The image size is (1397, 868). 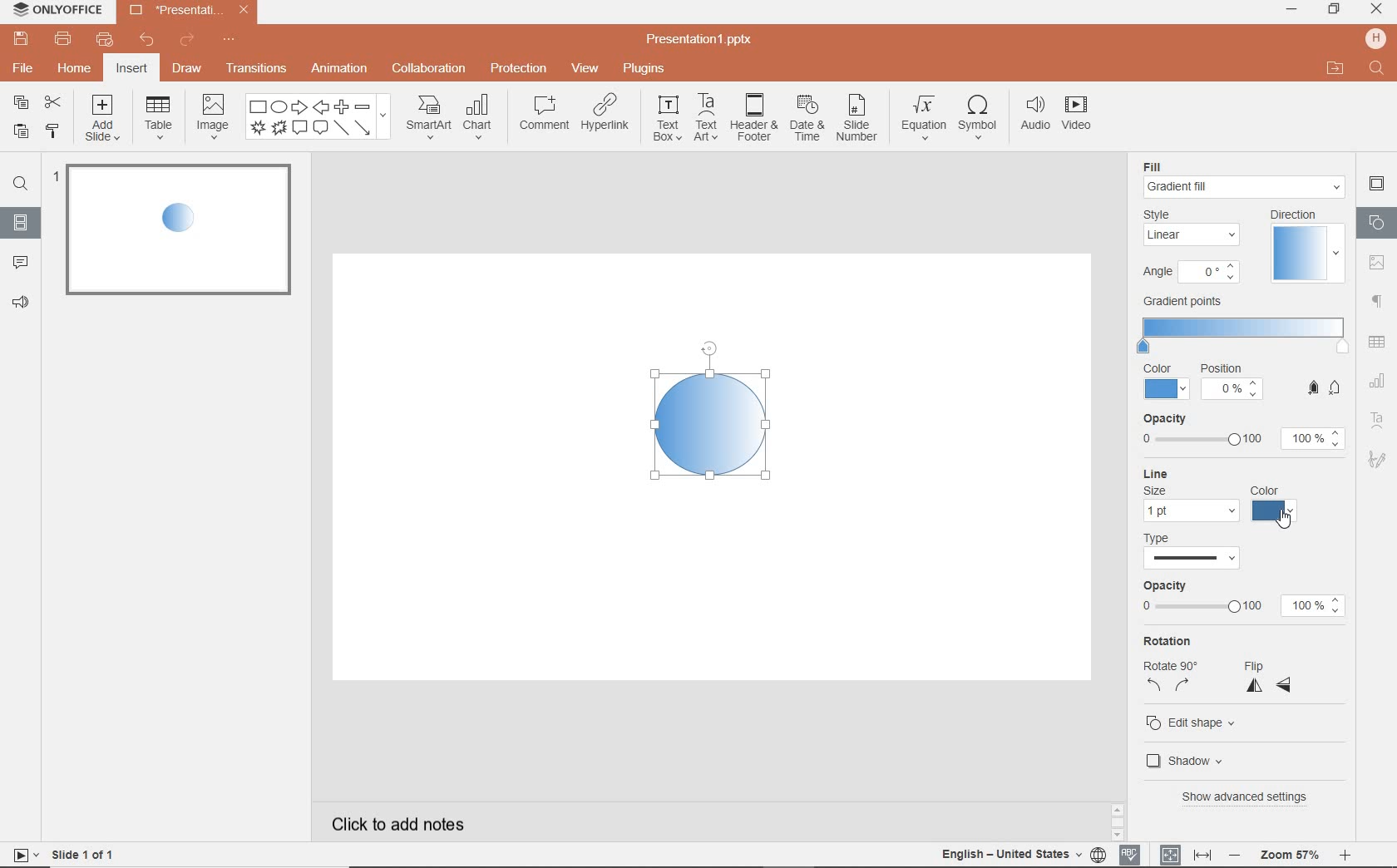 I want to click on print, so click(x=64, y=38).